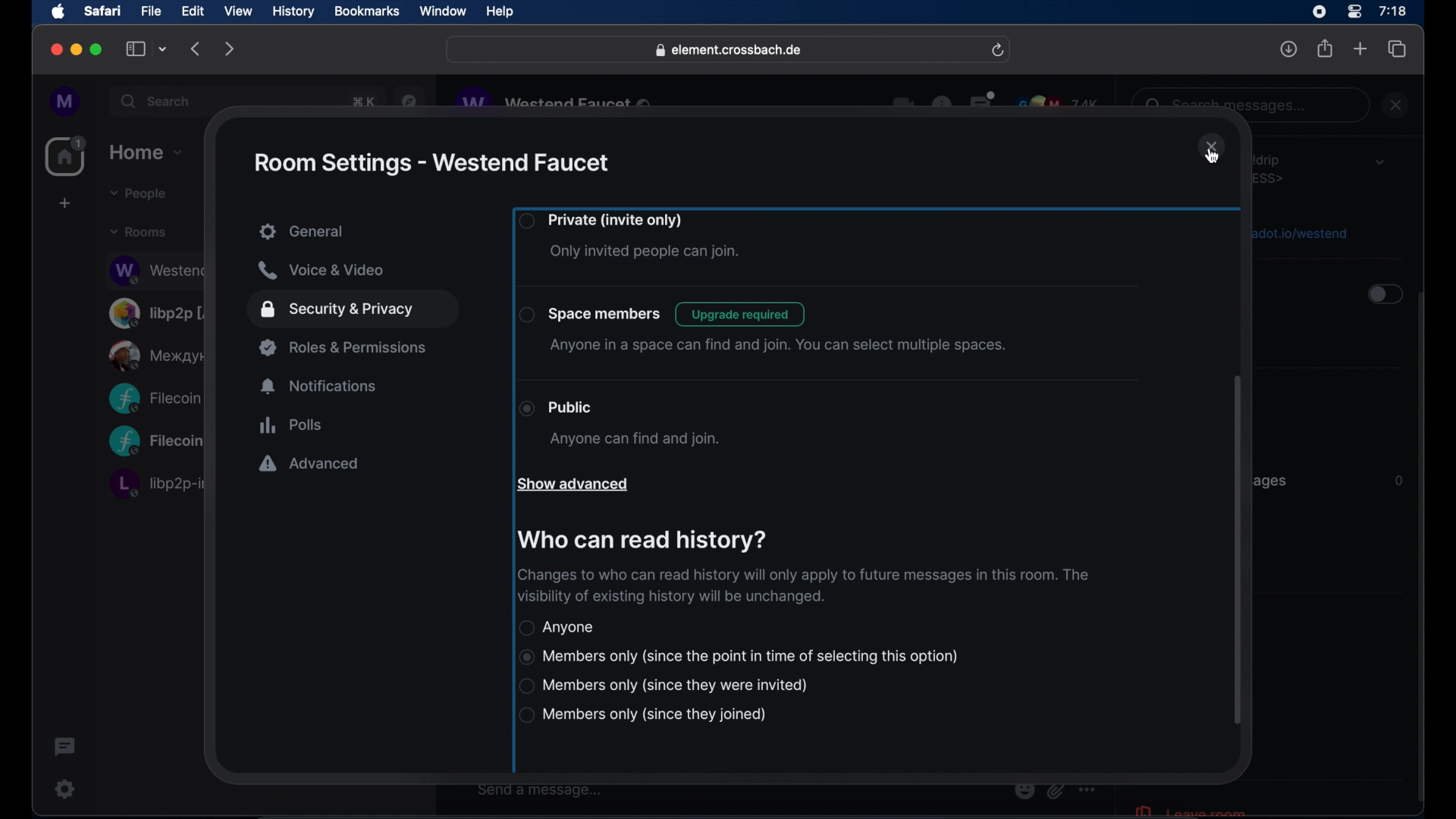  I want to click on show sidebar, so click(136, 49).